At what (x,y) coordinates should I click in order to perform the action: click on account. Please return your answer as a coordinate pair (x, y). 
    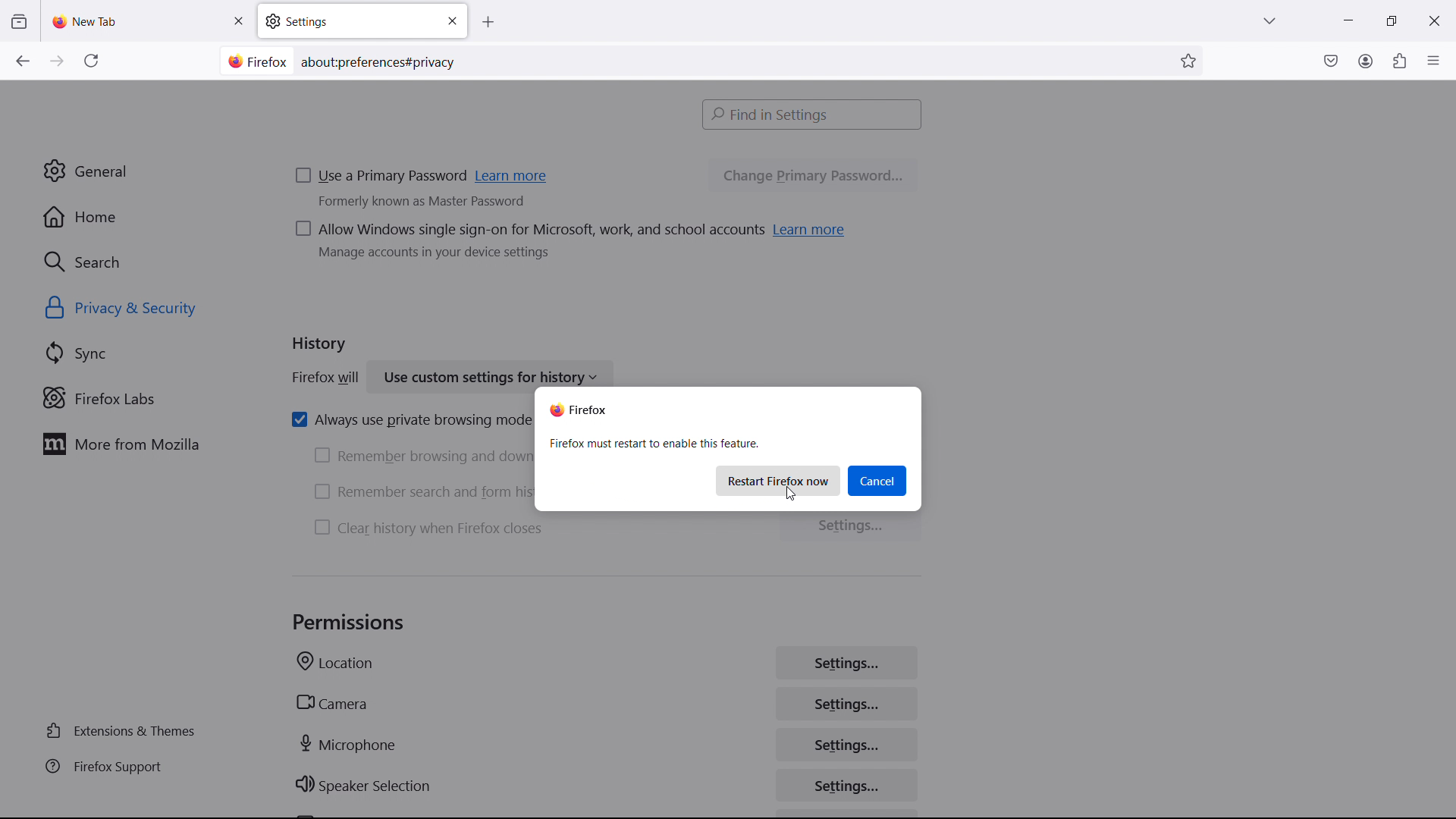
    Looking at the image, I should click on (1365, 60).